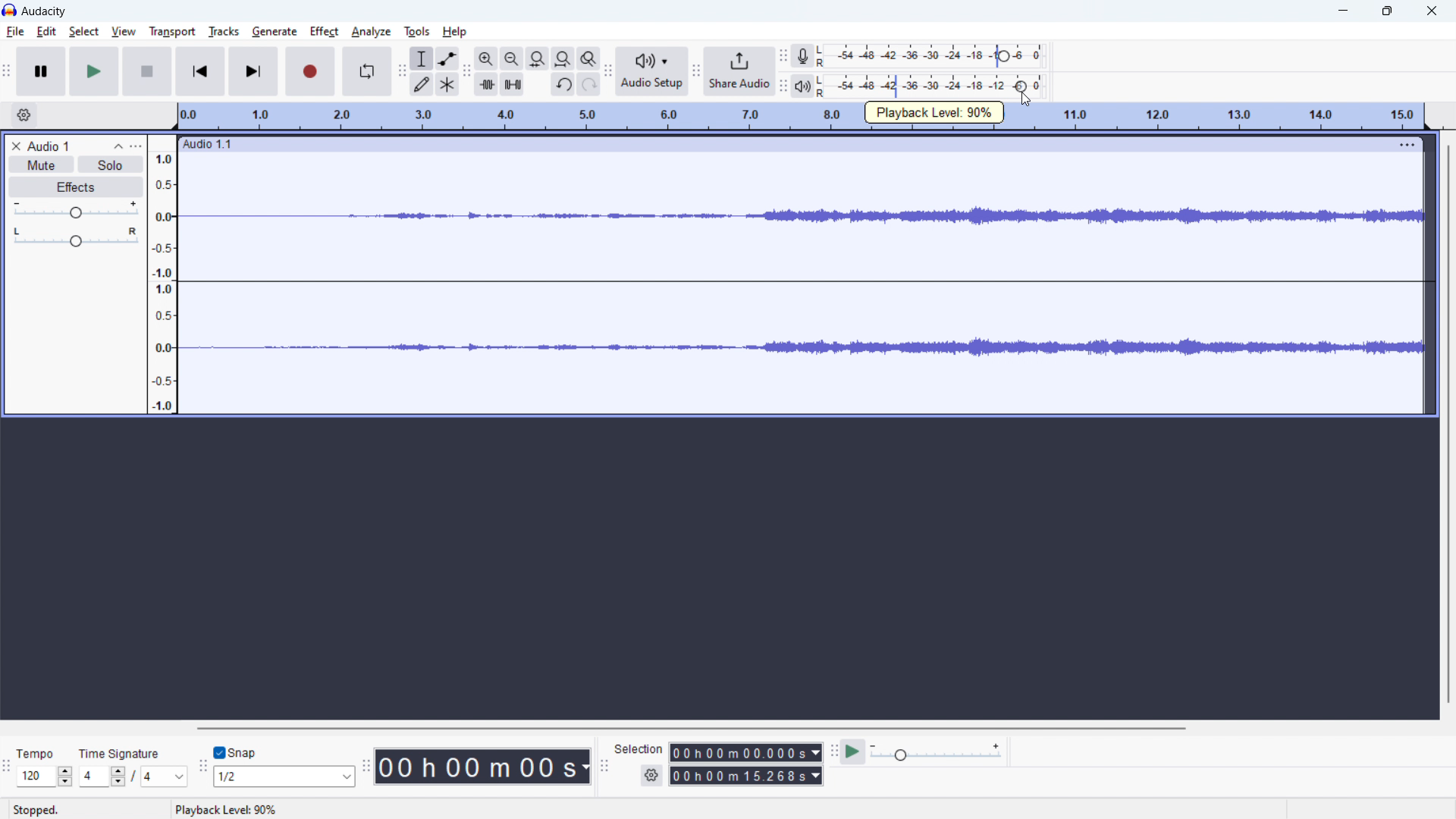  I want to click on mute, so click(42, 165).